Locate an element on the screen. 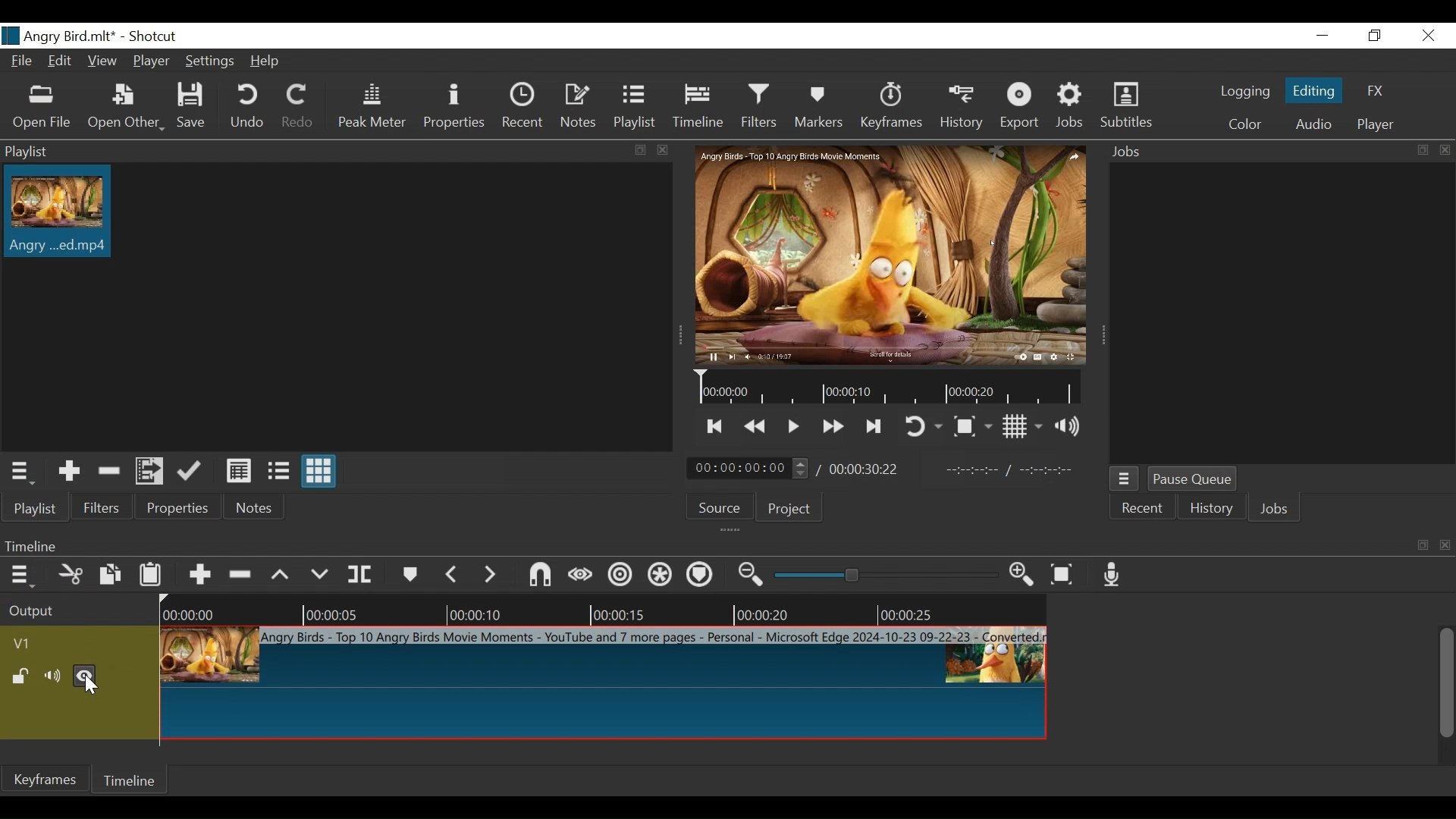  Player is located at coordinates (151, 61).